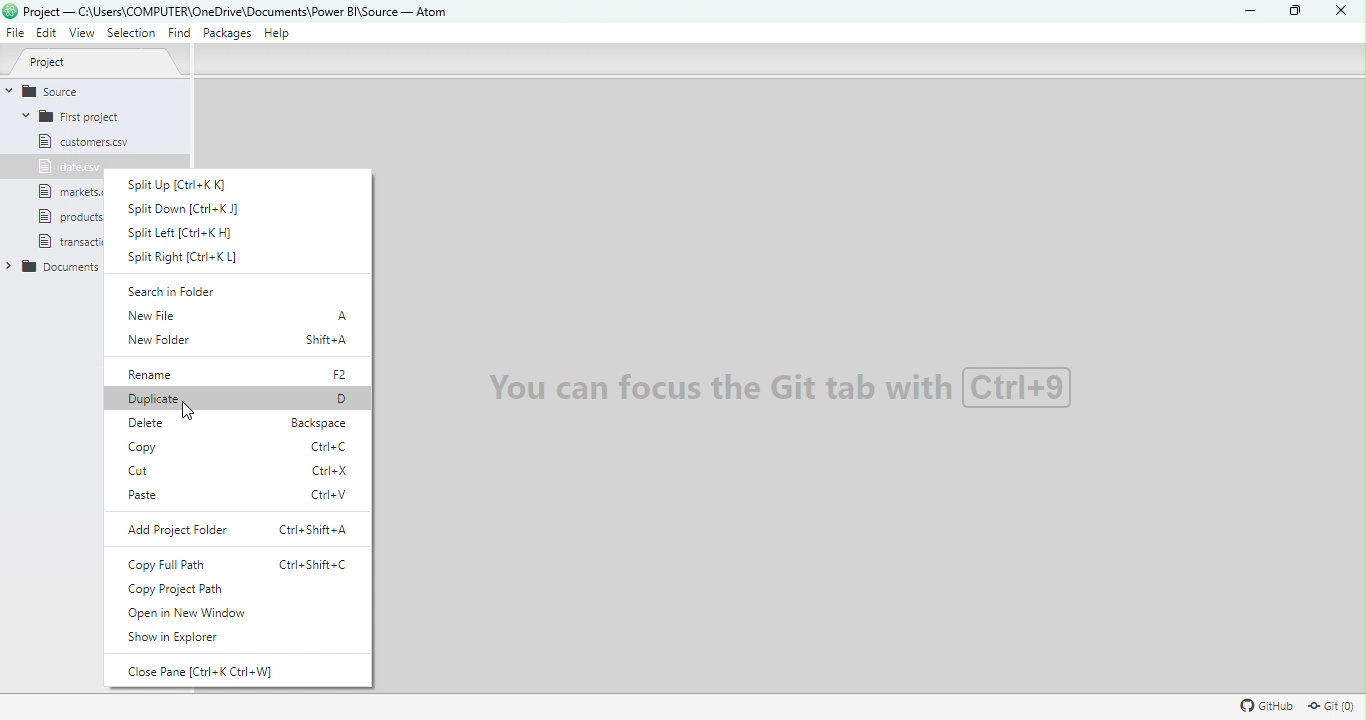 This screenshot has height=720, width=1366. Describe the element at coordinates (73, 192) in the screenshot. I see `File` at that location.